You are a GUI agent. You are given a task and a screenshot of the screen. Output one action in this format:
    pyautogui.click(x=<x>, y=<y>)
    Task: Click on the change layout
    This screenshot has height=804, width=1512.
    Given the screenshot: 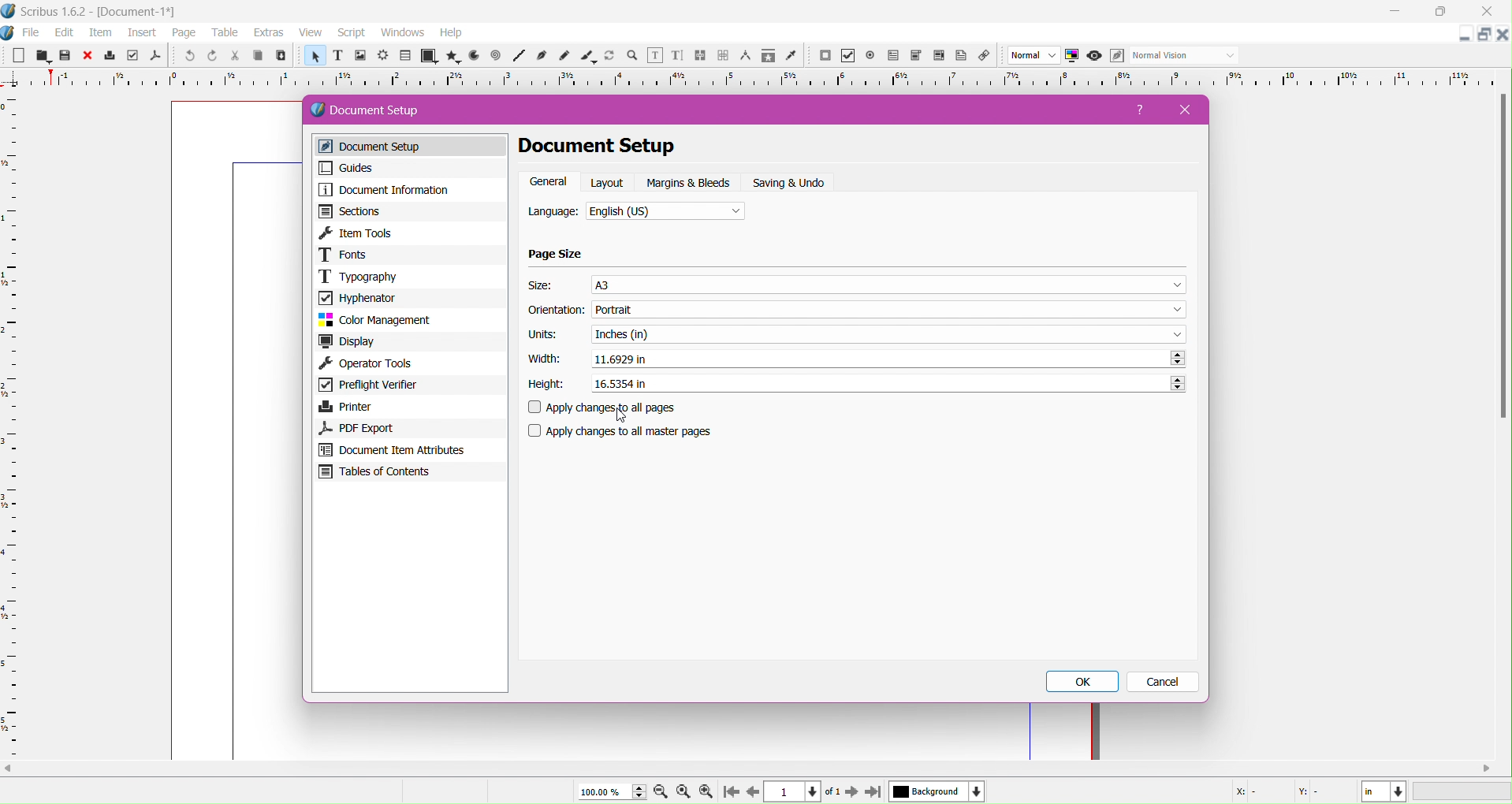 What is the action you would take?
    pyautogui.click(x=1482, y=35)
    